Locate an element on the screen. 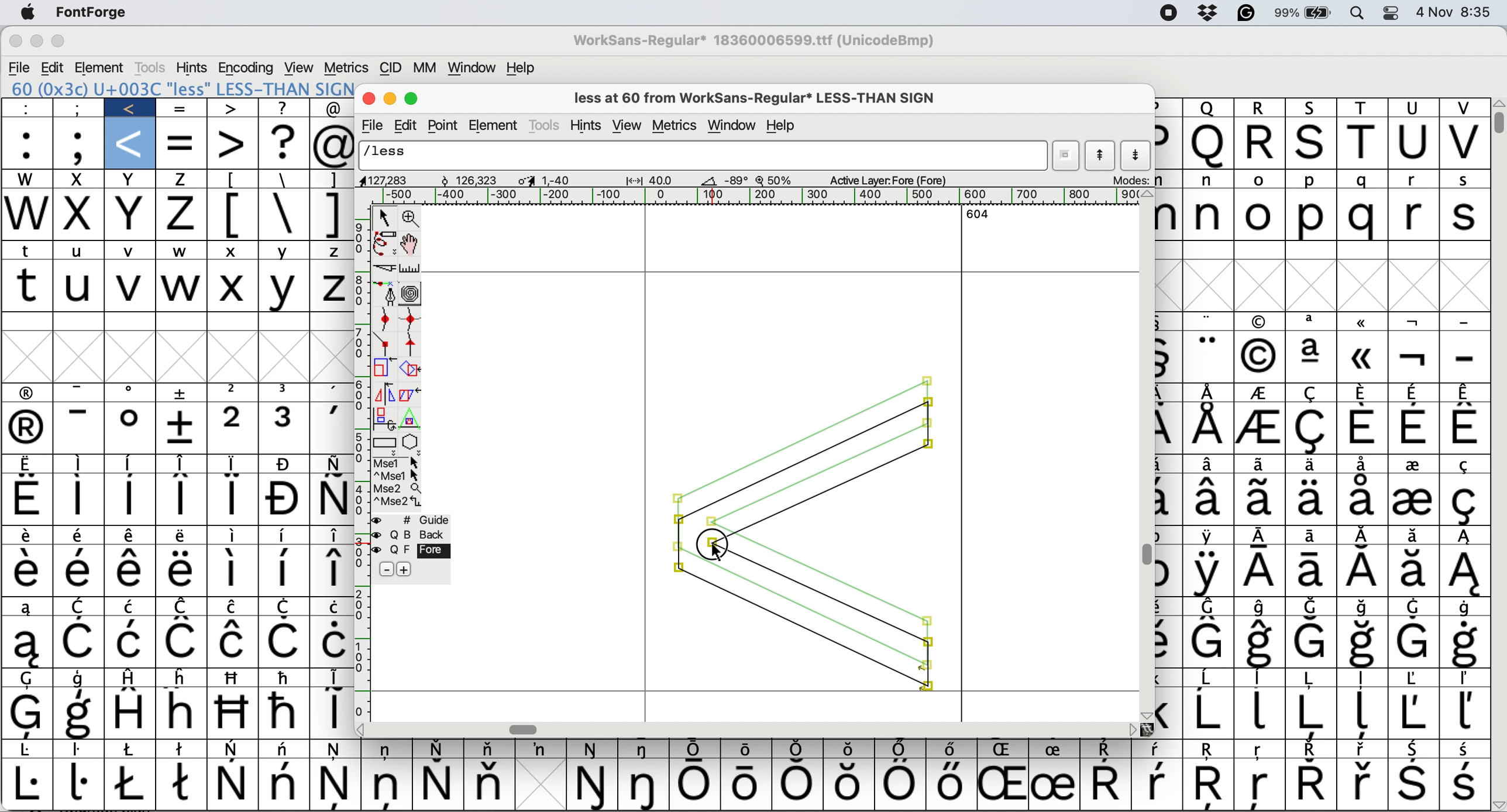  add a curve point horizontal or vertical is located at coordinates (412, 317).